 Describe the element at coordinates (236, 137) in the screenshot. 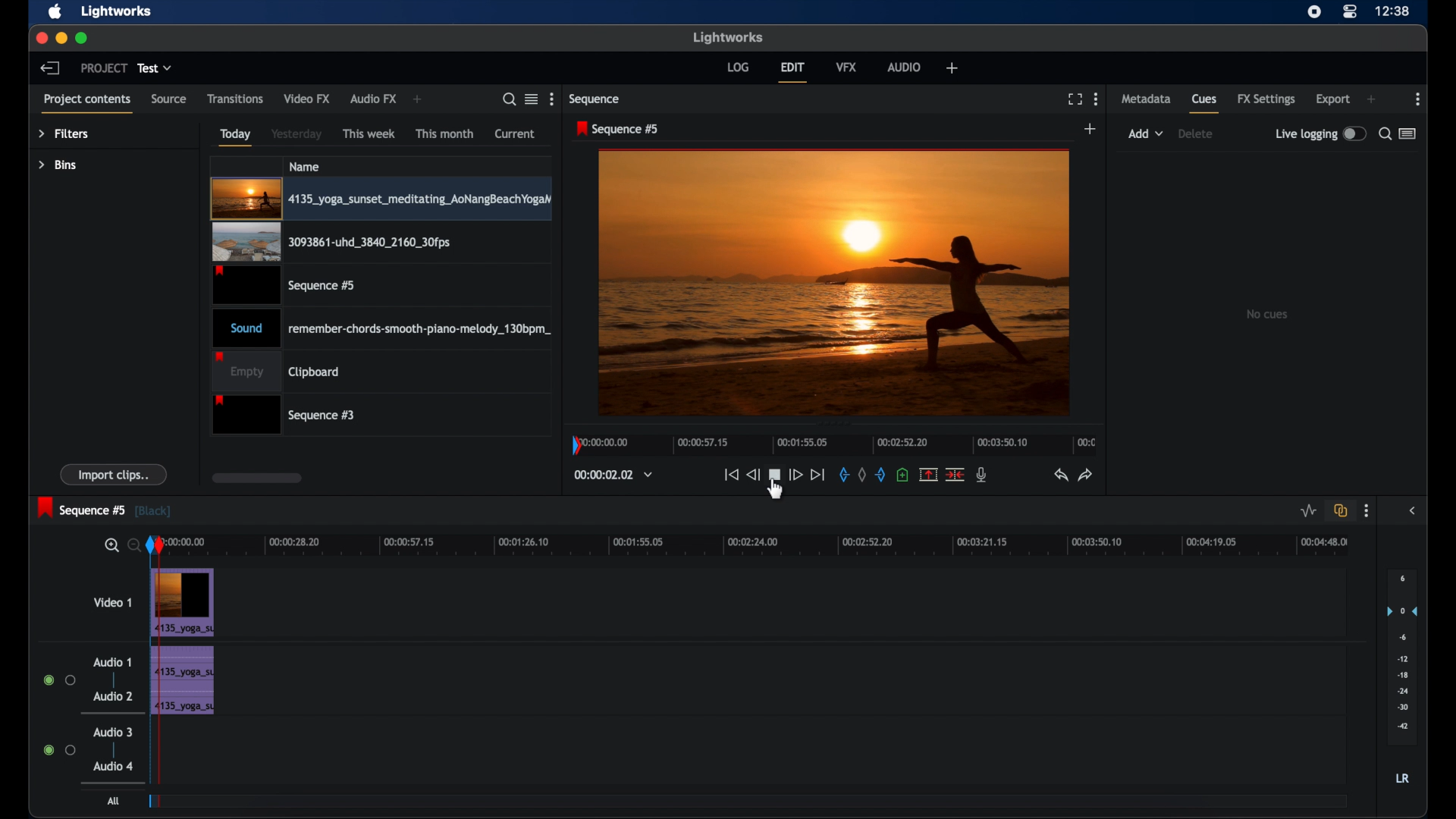

I see `today` at that location.